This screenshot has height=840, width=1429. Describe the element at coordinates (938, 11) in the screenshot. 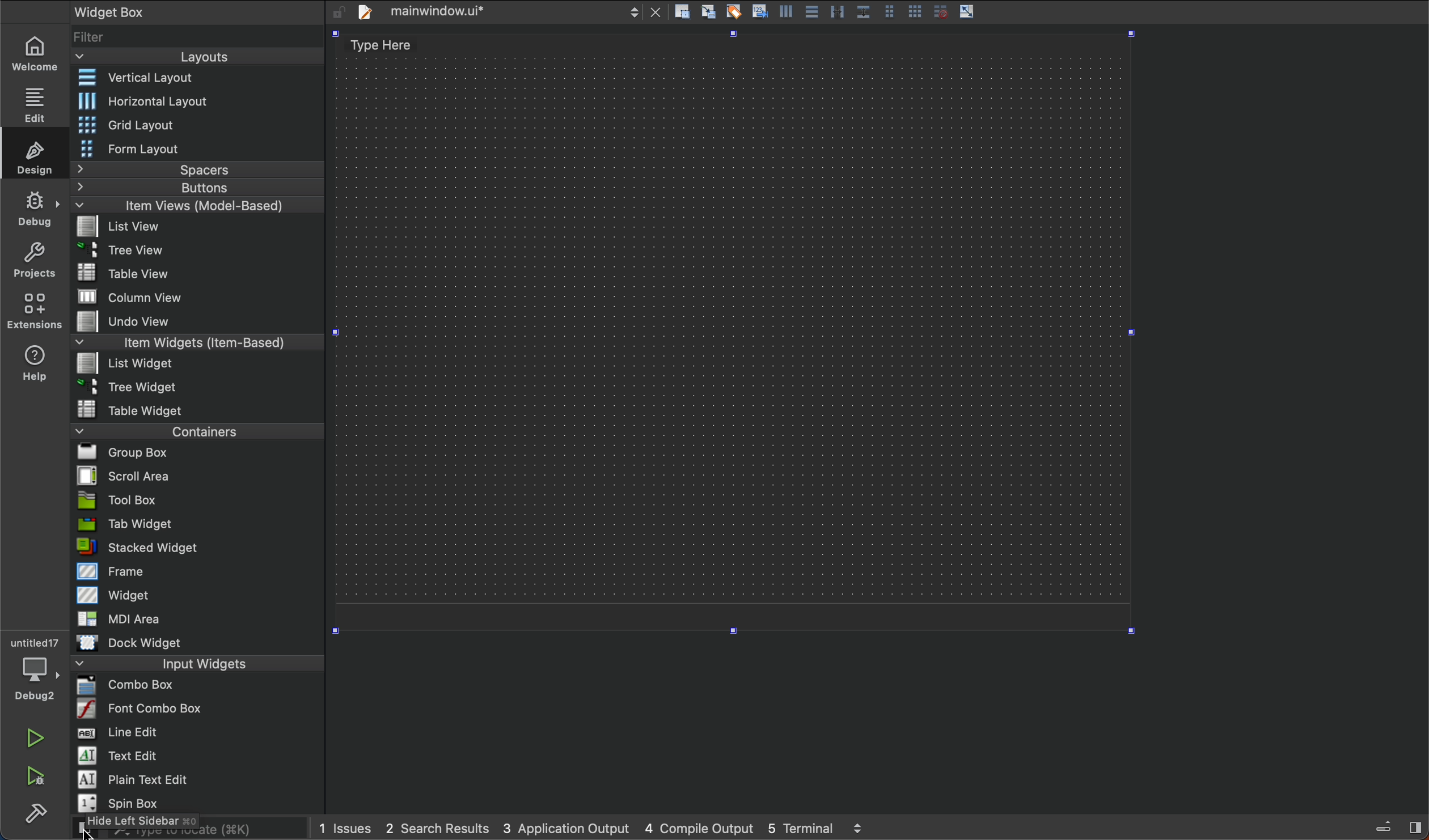

I see `` at that location.